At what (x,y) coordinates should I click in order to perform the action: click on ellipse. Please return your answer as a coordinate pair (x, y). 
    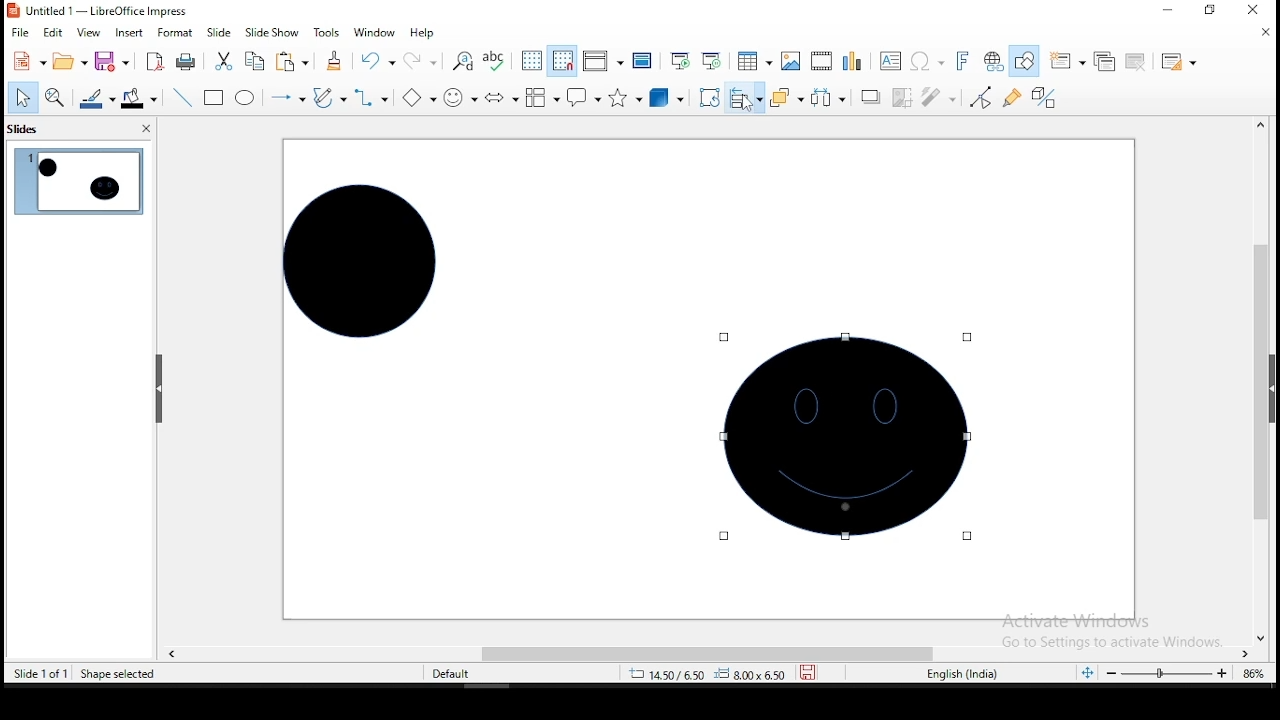
    Looking at the image, I should click on (244, 97).